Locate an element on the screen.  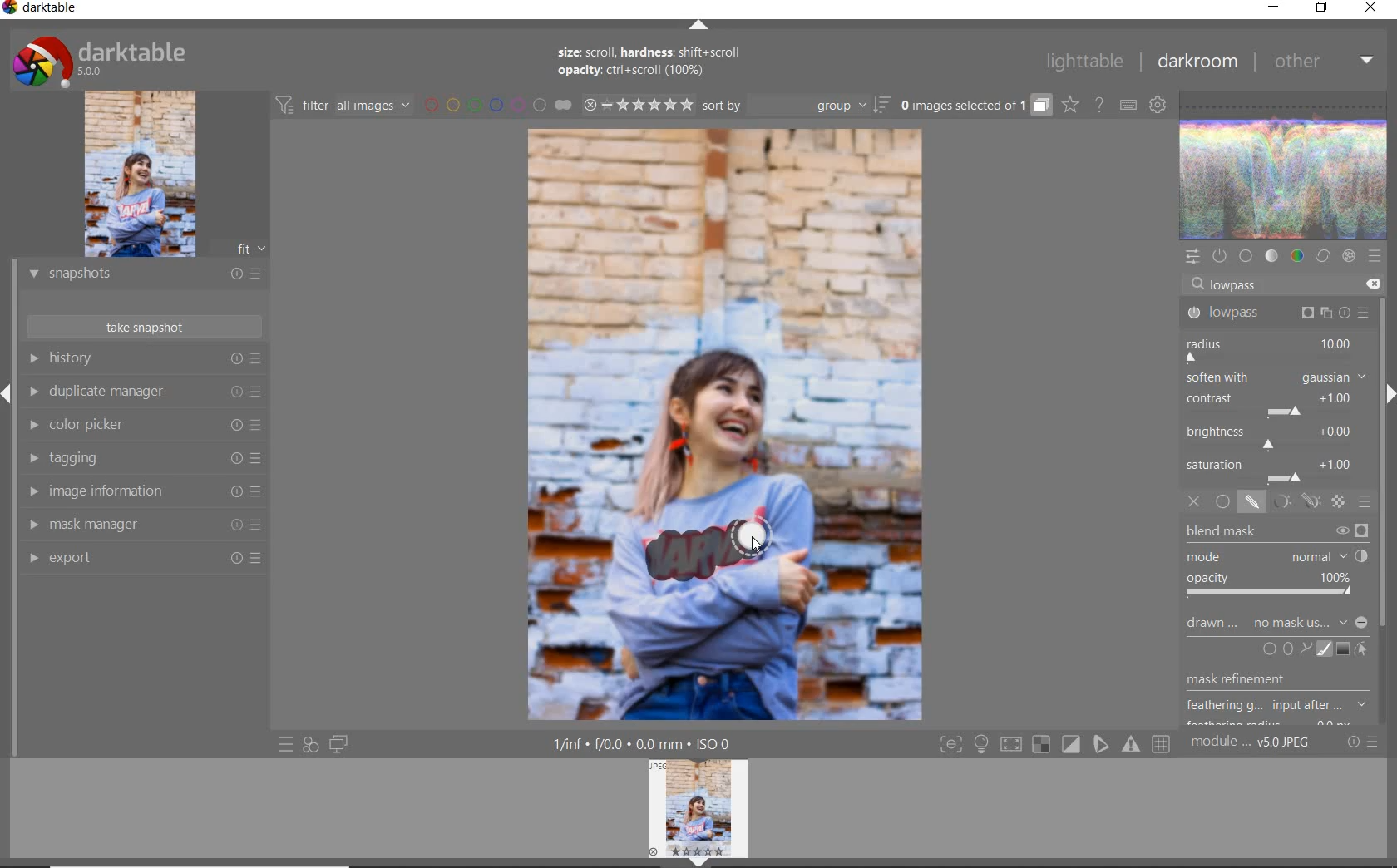
sort is located at coordinates (797, 107).